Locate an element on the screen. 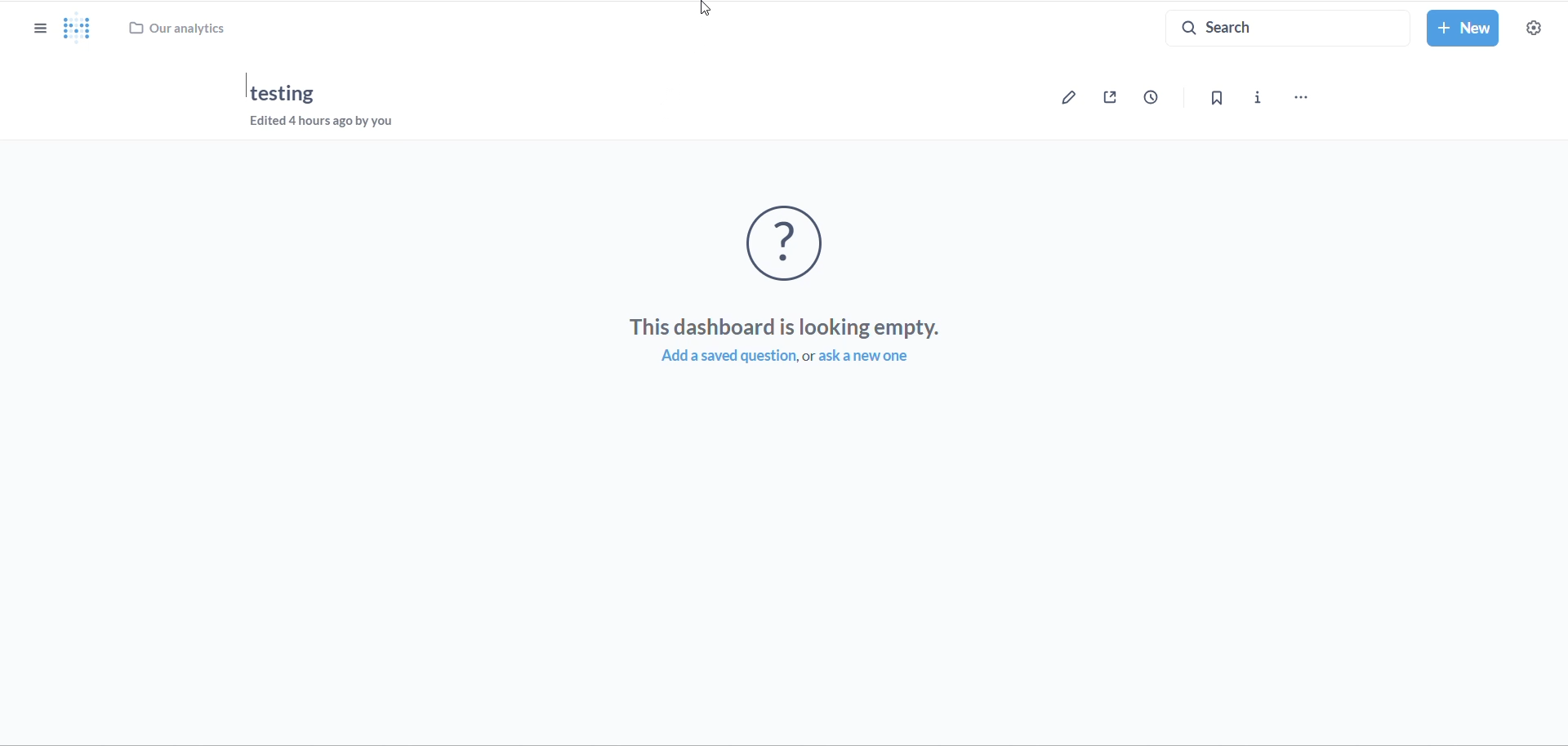 Image resolution: width=1568 pixels, height=746 pixels. bookmark is located at coordinates (1218, 98).